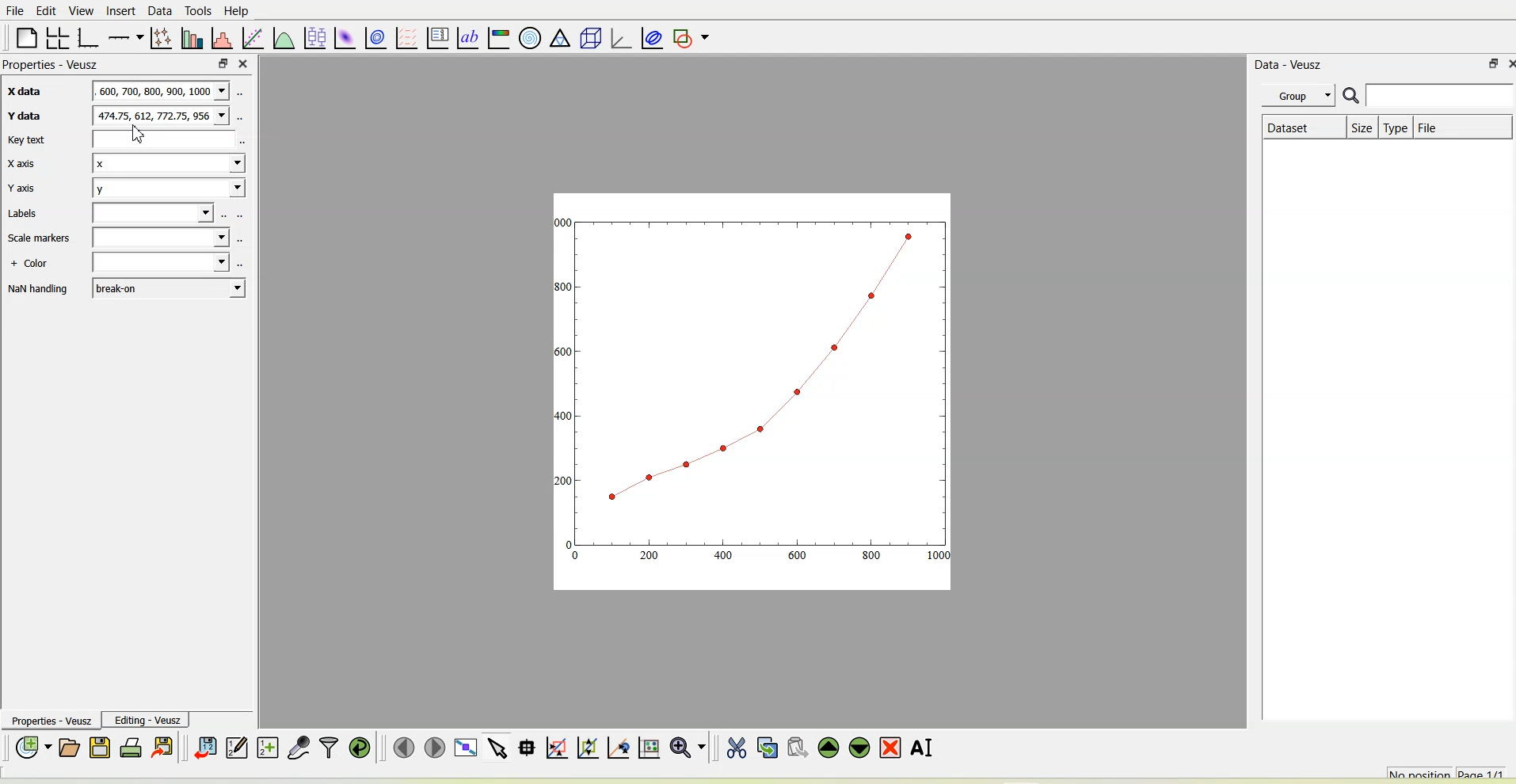  I want to click on Paste widget from the clipboard, so click(798, 748).